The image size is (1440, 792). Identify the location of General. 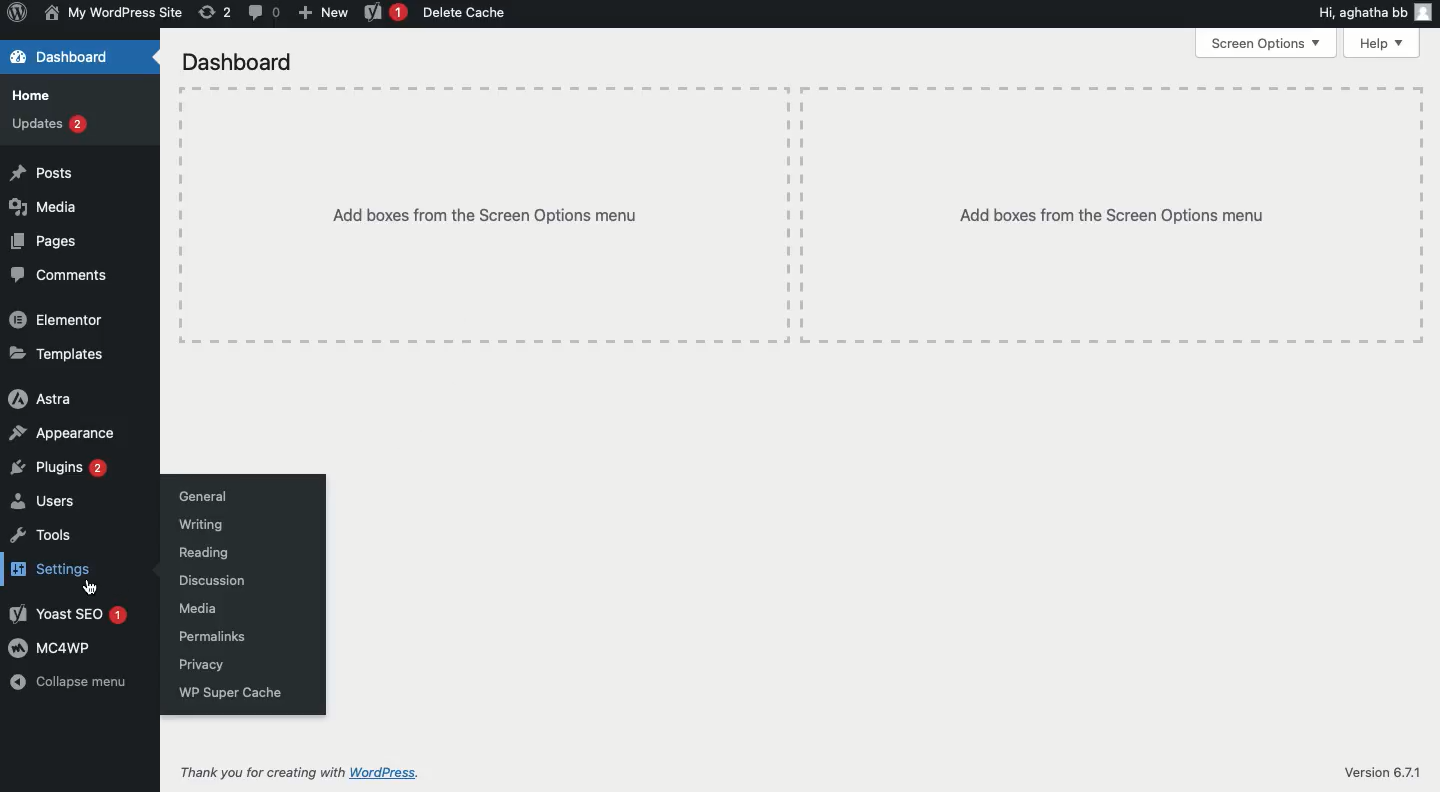
(205, 496).